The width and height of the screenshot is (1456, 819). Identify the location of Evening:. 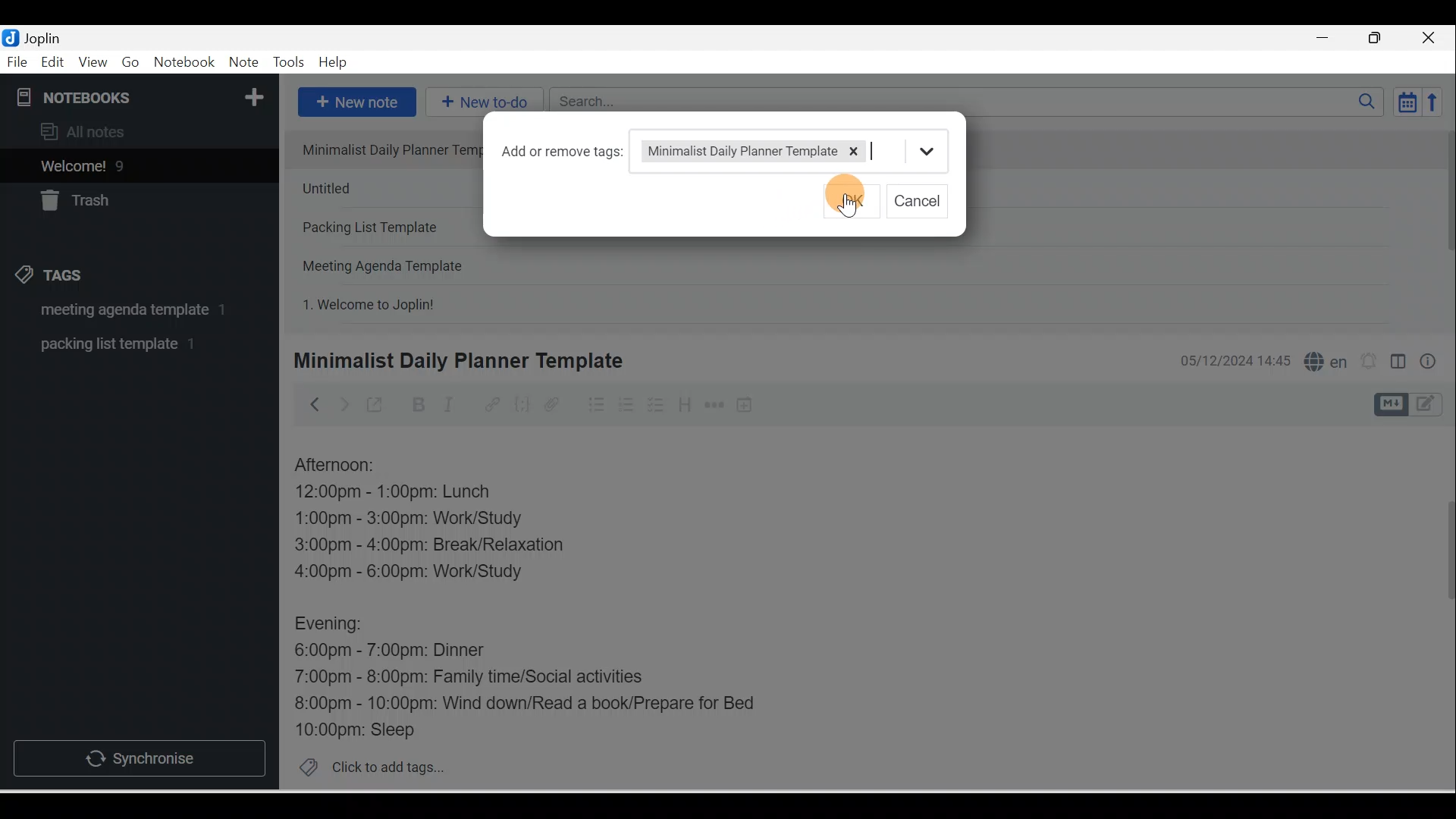
(339, 626).